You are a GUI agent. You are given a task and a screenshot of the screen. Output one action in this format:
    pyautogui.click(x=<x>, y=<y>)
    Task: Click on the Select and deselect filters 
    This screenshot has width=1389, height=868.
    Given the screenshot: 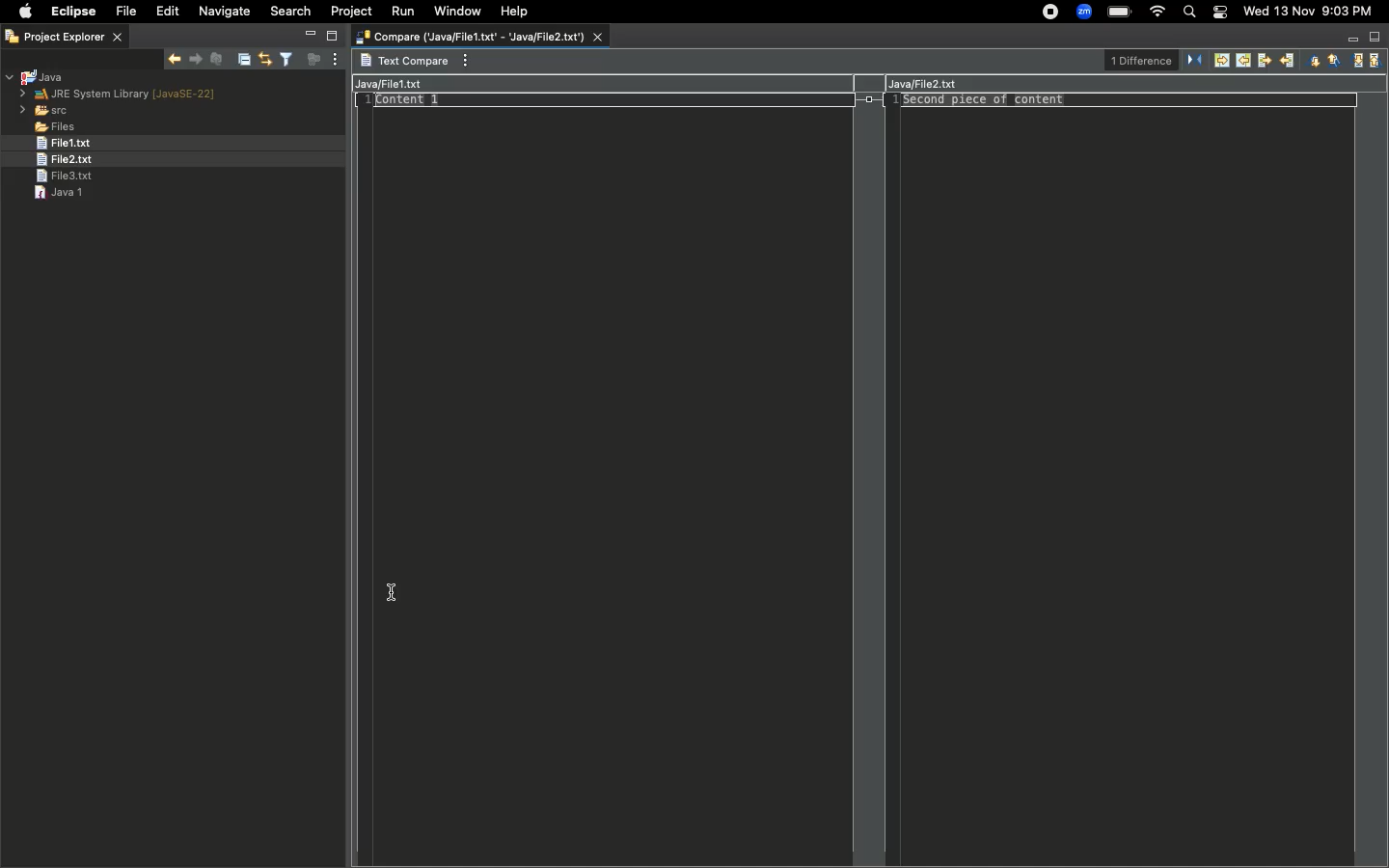 What is the action you would take?
    pyautogui.click(x=285, y=60)
    